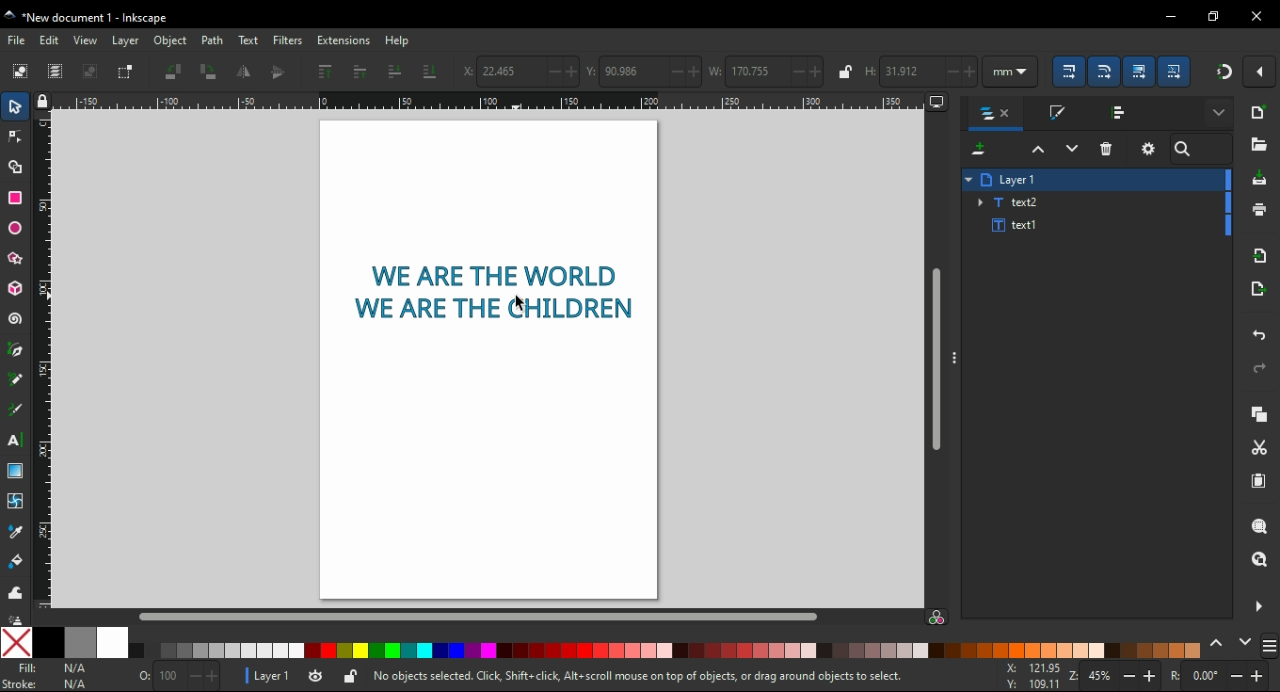 This screenshot has height=692, width=1280. What do you see at coordinates (20, 532) in the screenshot?
I see `eye dropper tool ` at bounding box center [20, 532].